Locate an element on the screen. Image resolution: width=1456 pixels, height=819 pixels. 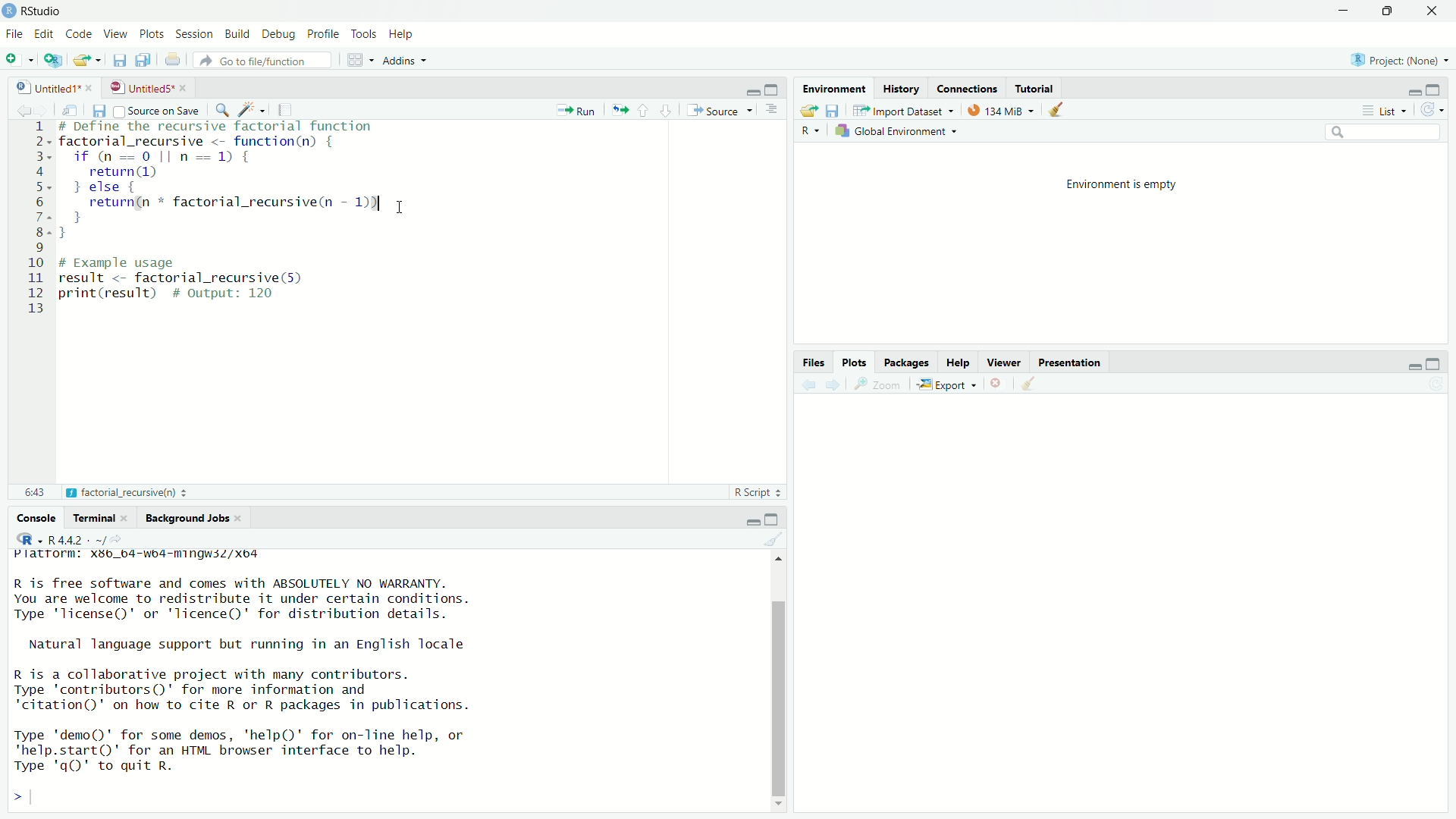
Connections is located at coordinates (968, 86).